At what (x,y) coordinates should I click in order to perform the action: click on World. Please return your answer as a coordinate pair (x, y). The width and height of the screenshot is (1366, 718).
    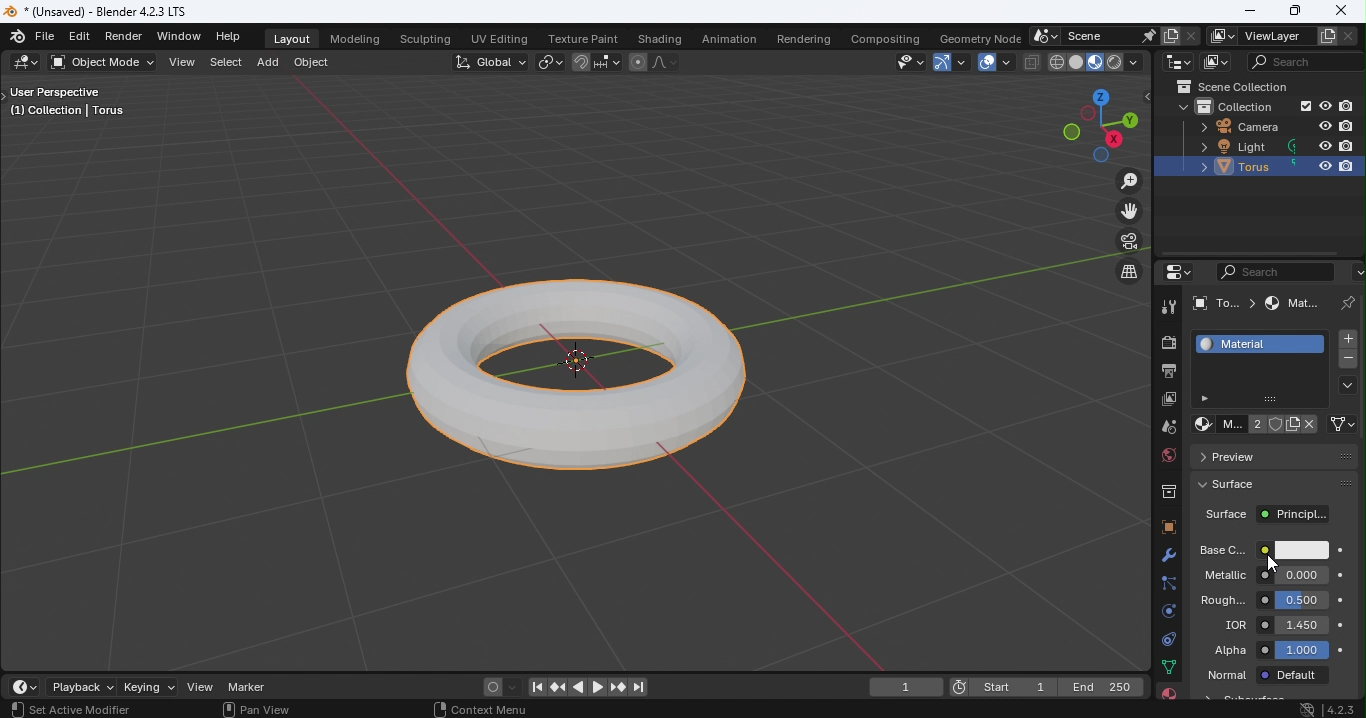
    Looking at the image, I should click on (1169, 457).